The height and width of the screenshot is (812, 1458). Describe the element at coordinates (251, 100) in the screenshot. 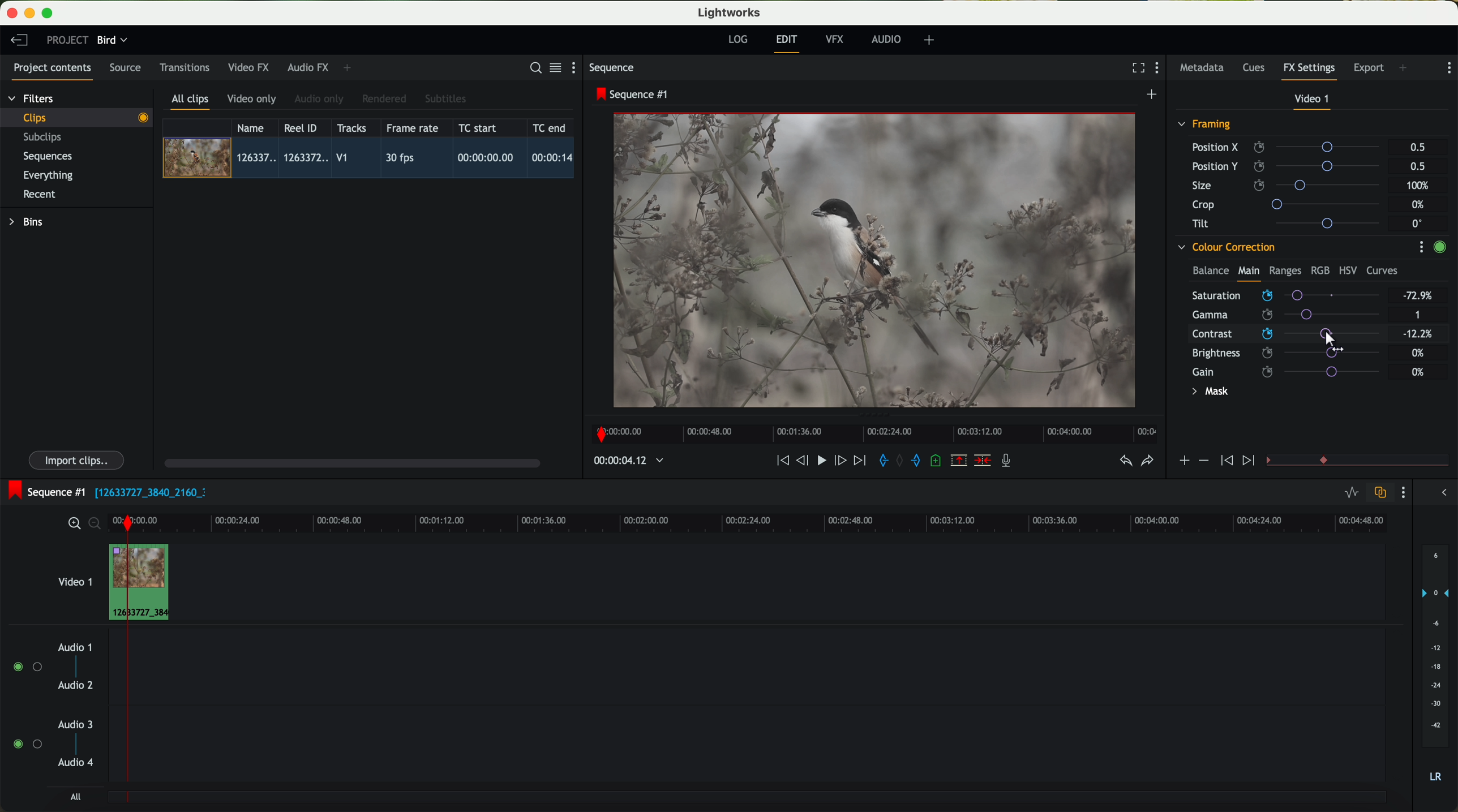

I see `video only` at that location.